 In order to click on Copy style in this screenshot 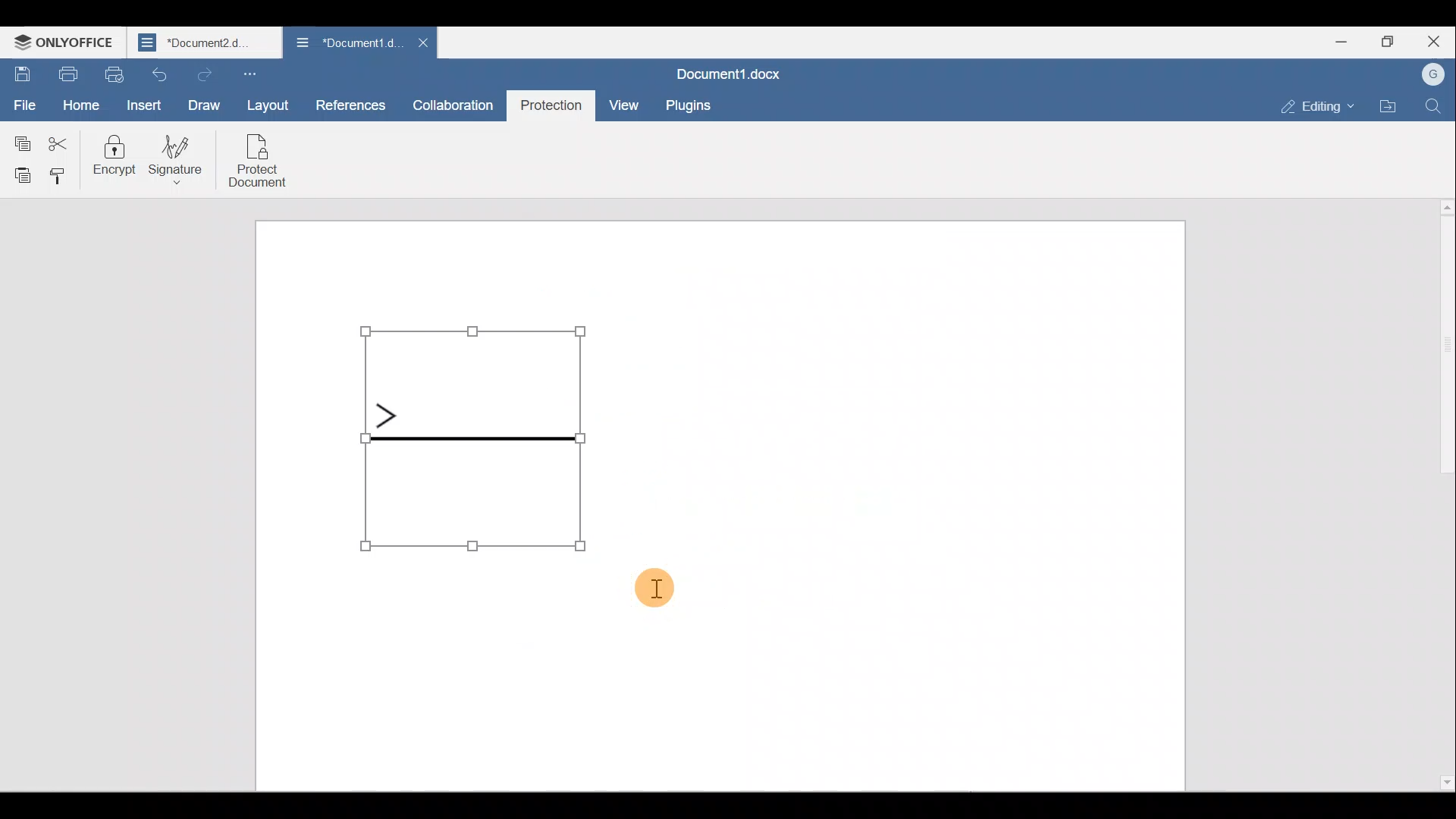, I will do `click(58, 174)`.